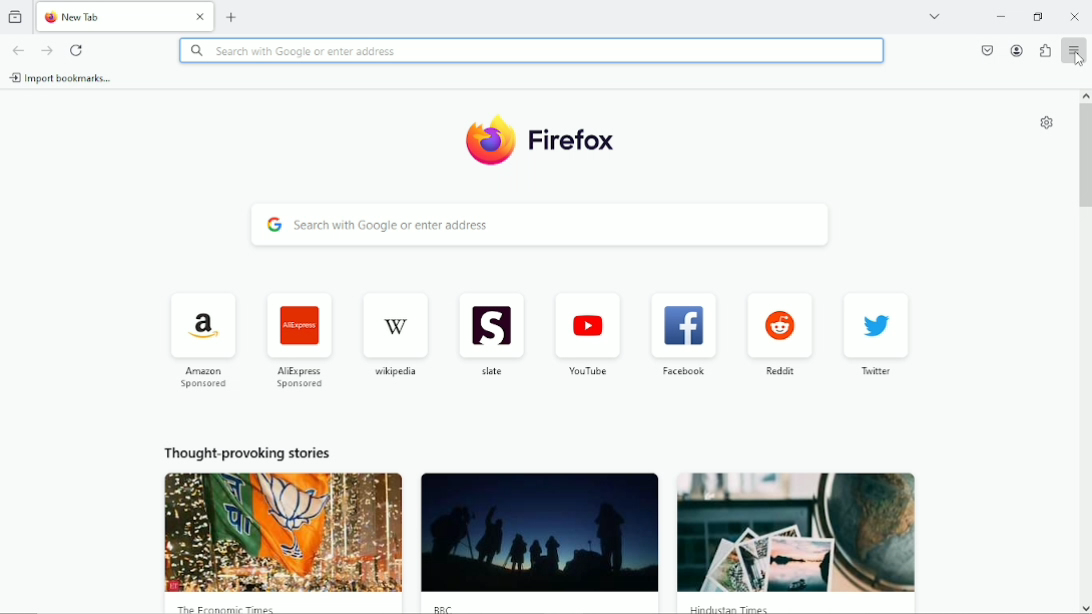 The image size is (1092, 614). I want to click on Facebook, so click(682, 334).